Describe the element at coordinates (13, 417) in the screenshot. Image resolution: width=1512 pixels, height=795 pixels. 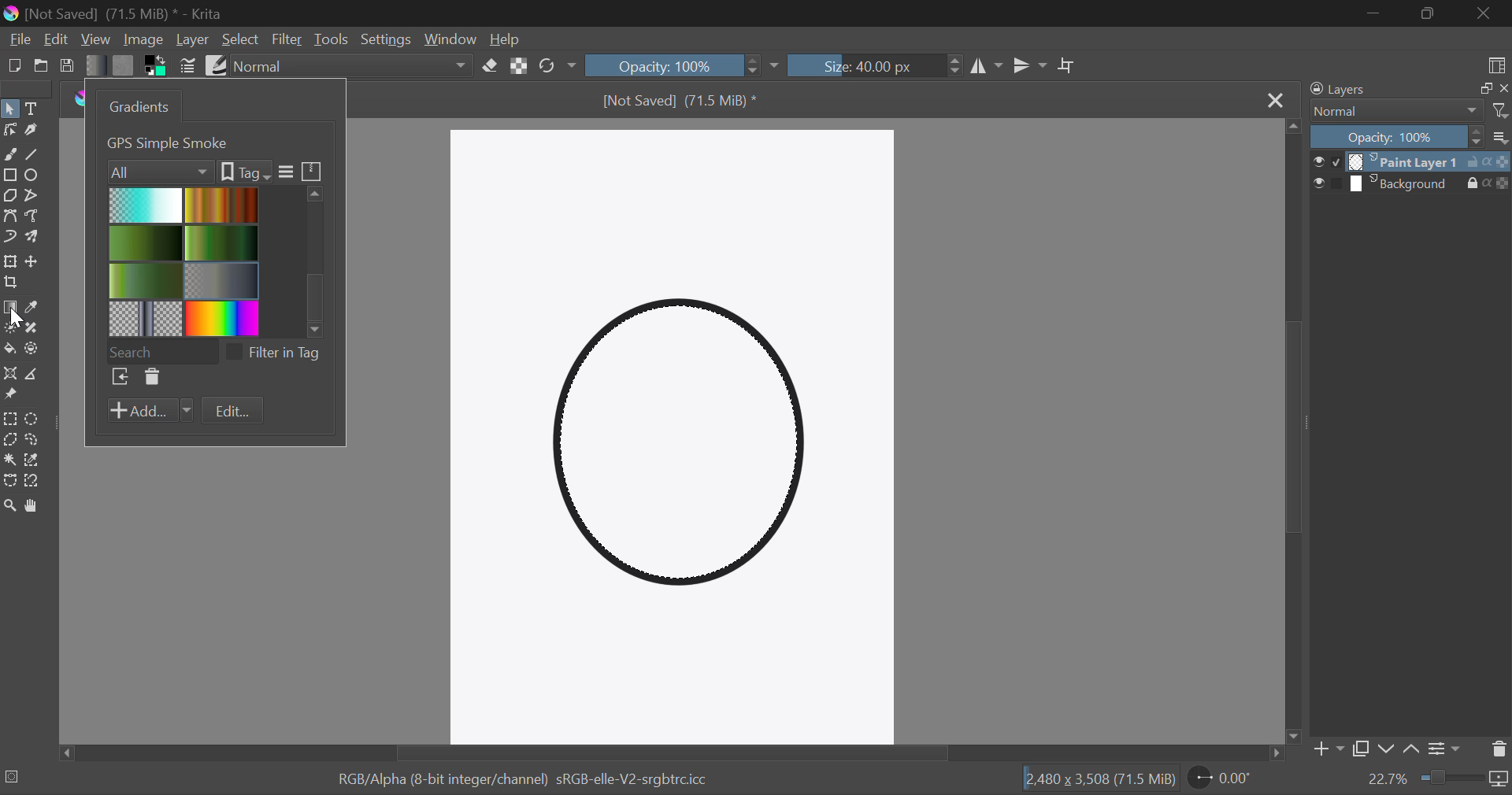
I see `Rectangle Selection` at that location.